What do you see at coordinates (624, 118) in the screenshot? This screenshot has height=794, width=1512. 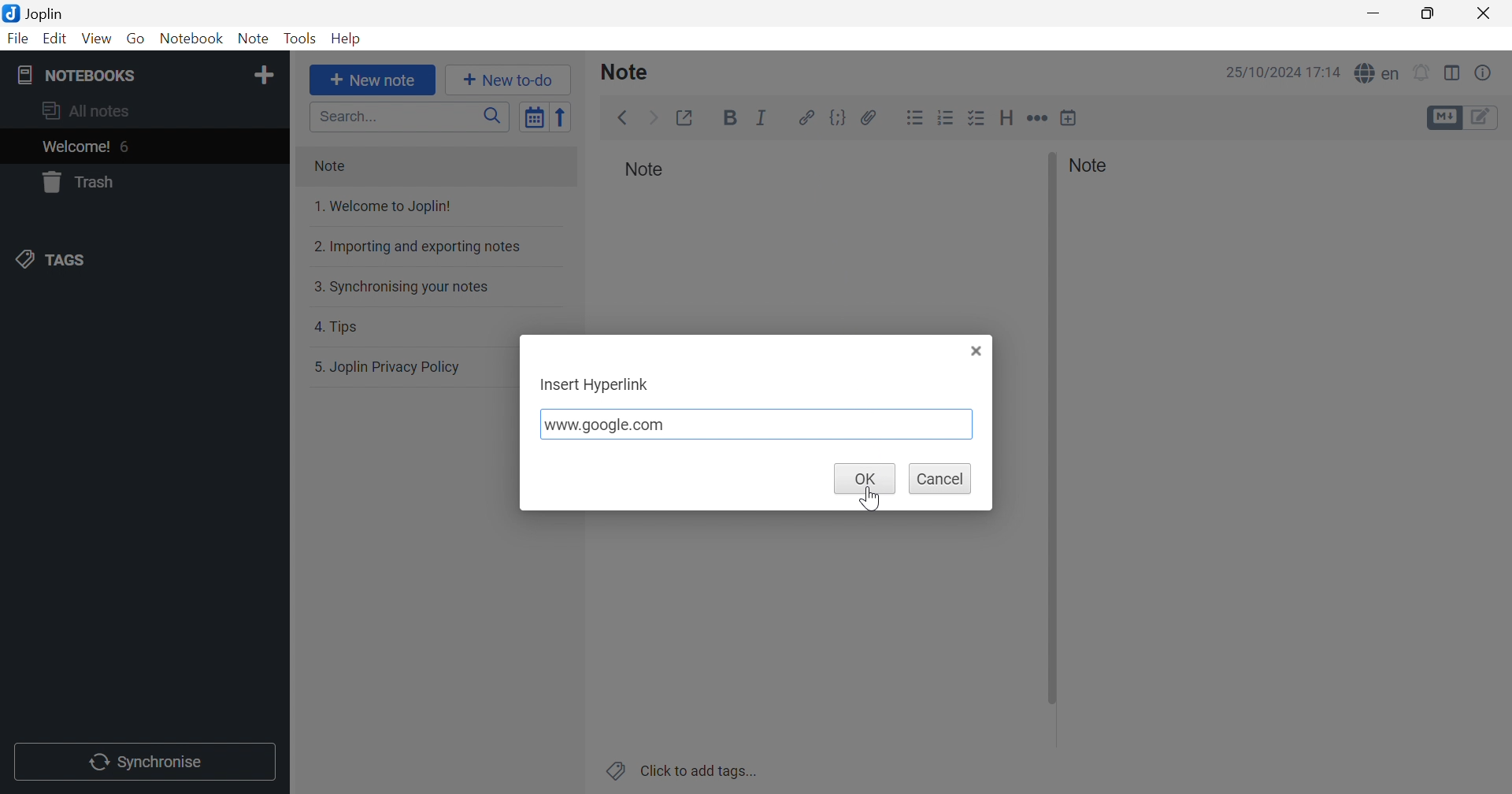 I see `Back` at bounding box center [624, 118].